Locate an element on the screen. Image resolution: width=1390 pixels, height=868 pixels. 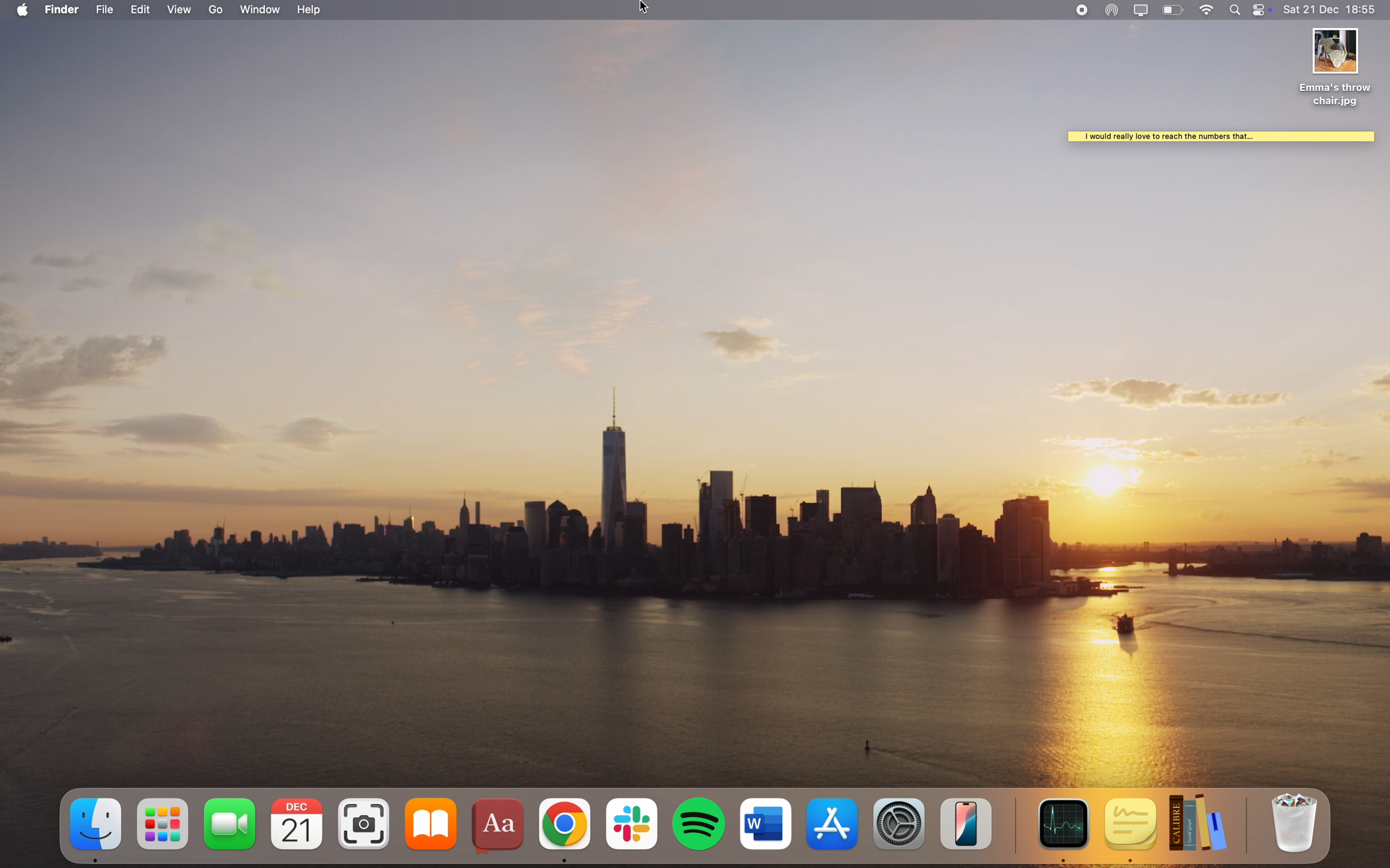
calendar is located at coordinates (297, 829).